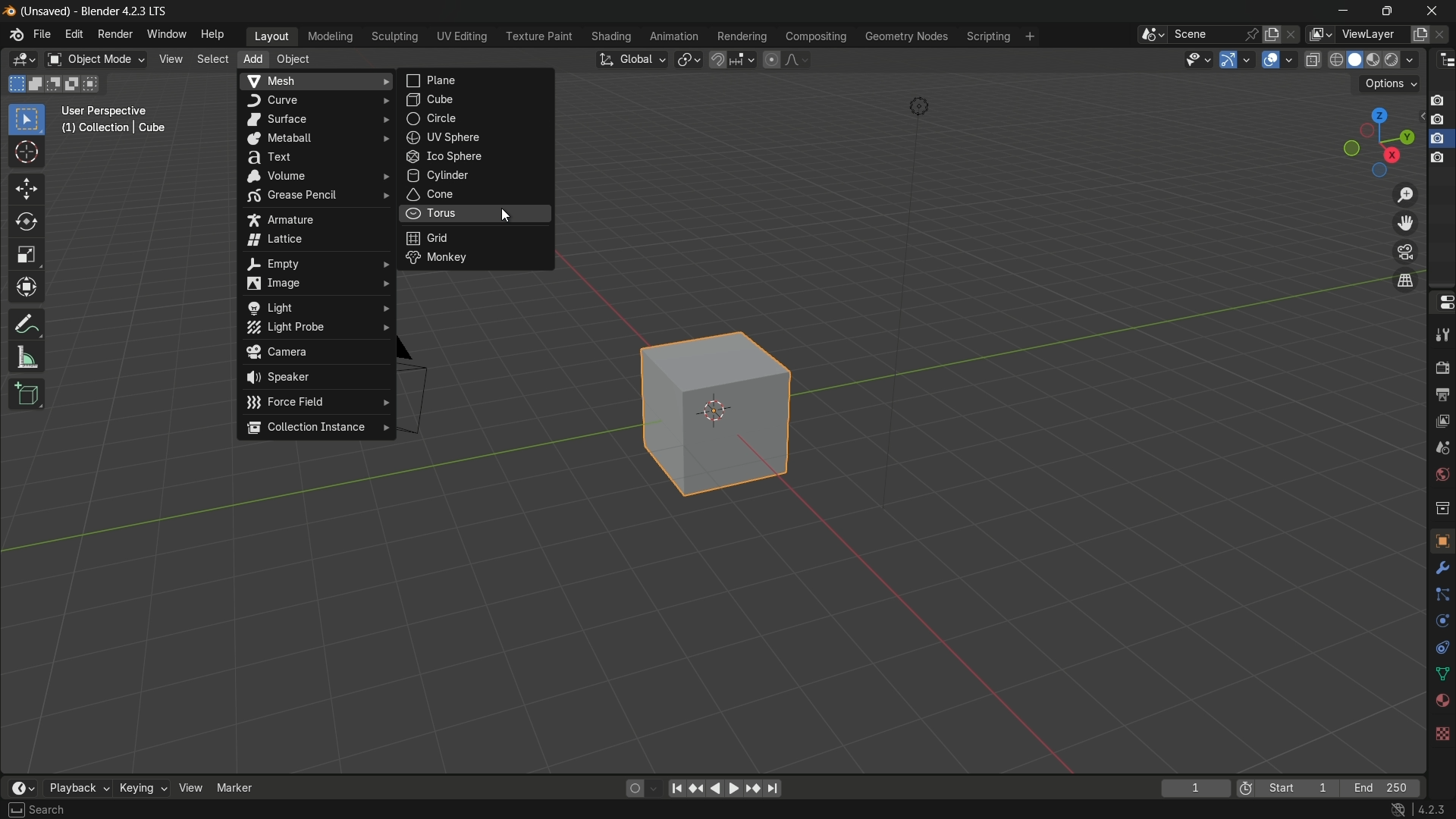 The image size is (1456, 819). What do you see at coordinates (312, 198) in the screenshot?
I see `grease pencil` at bounding box center [312, 198].